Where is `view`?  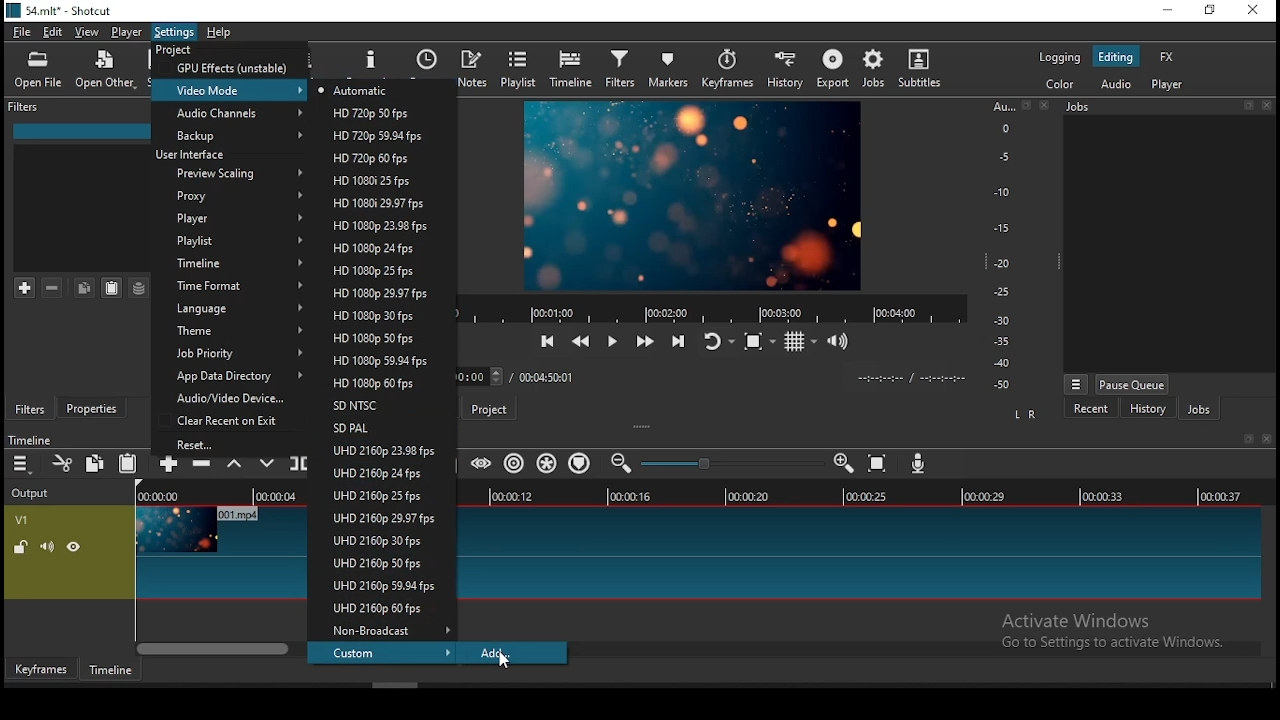
view is located at coordinates (89, 34).